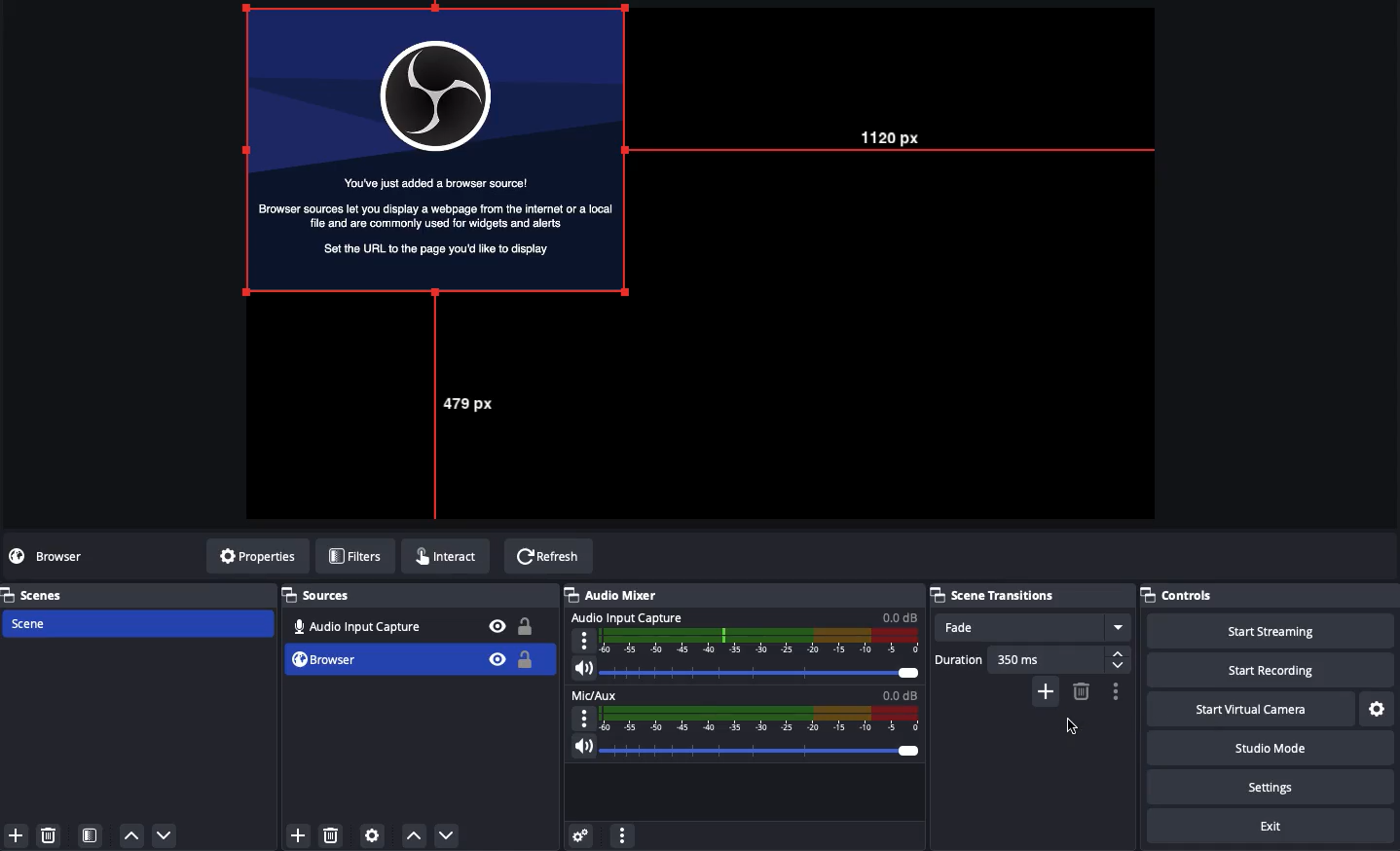  I want to click on Properties, so click(259, 555).